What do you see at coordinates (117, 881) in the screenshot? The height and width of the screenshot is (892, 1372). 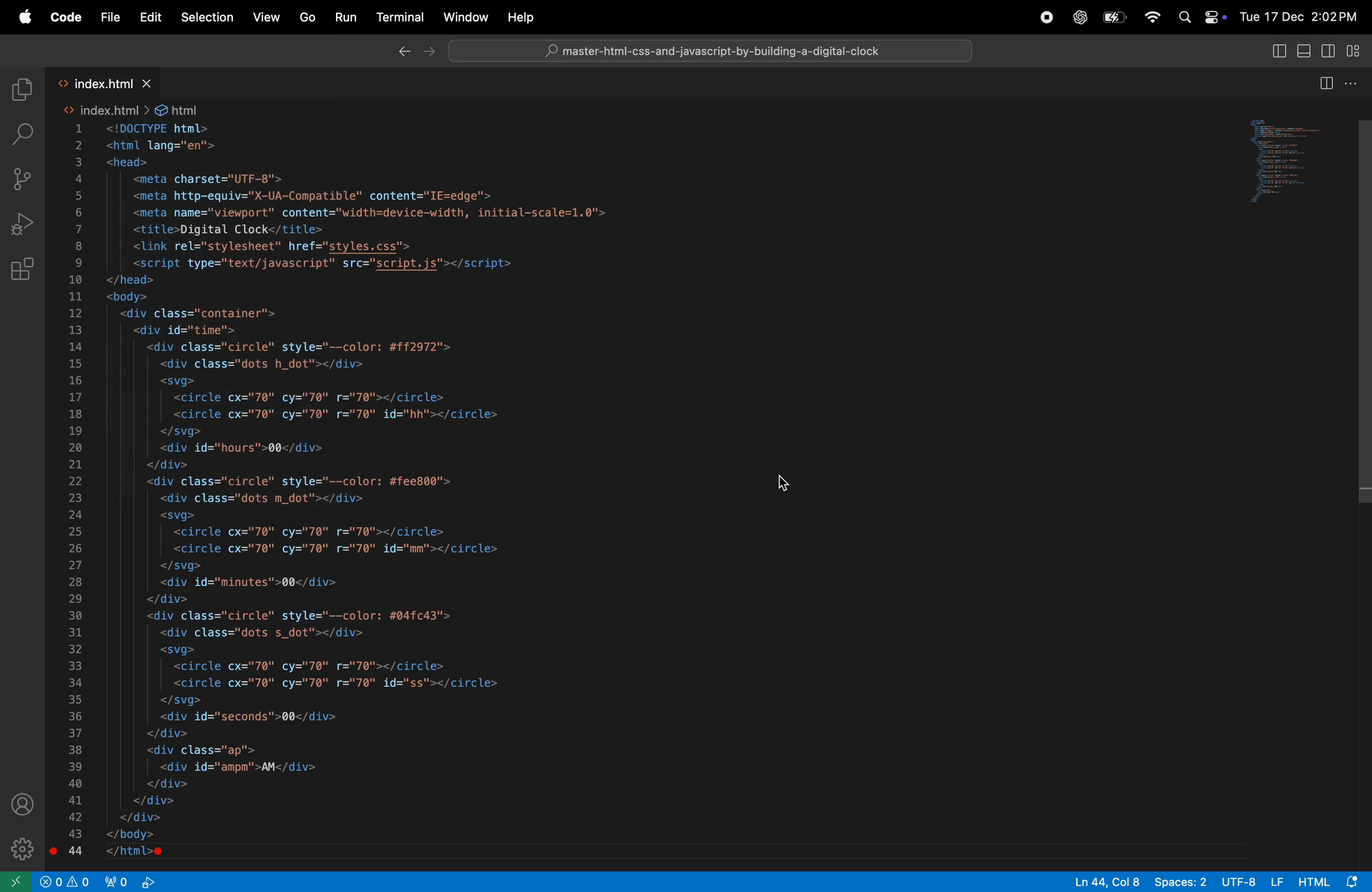 I see `port` at bounding box center [117, 881].